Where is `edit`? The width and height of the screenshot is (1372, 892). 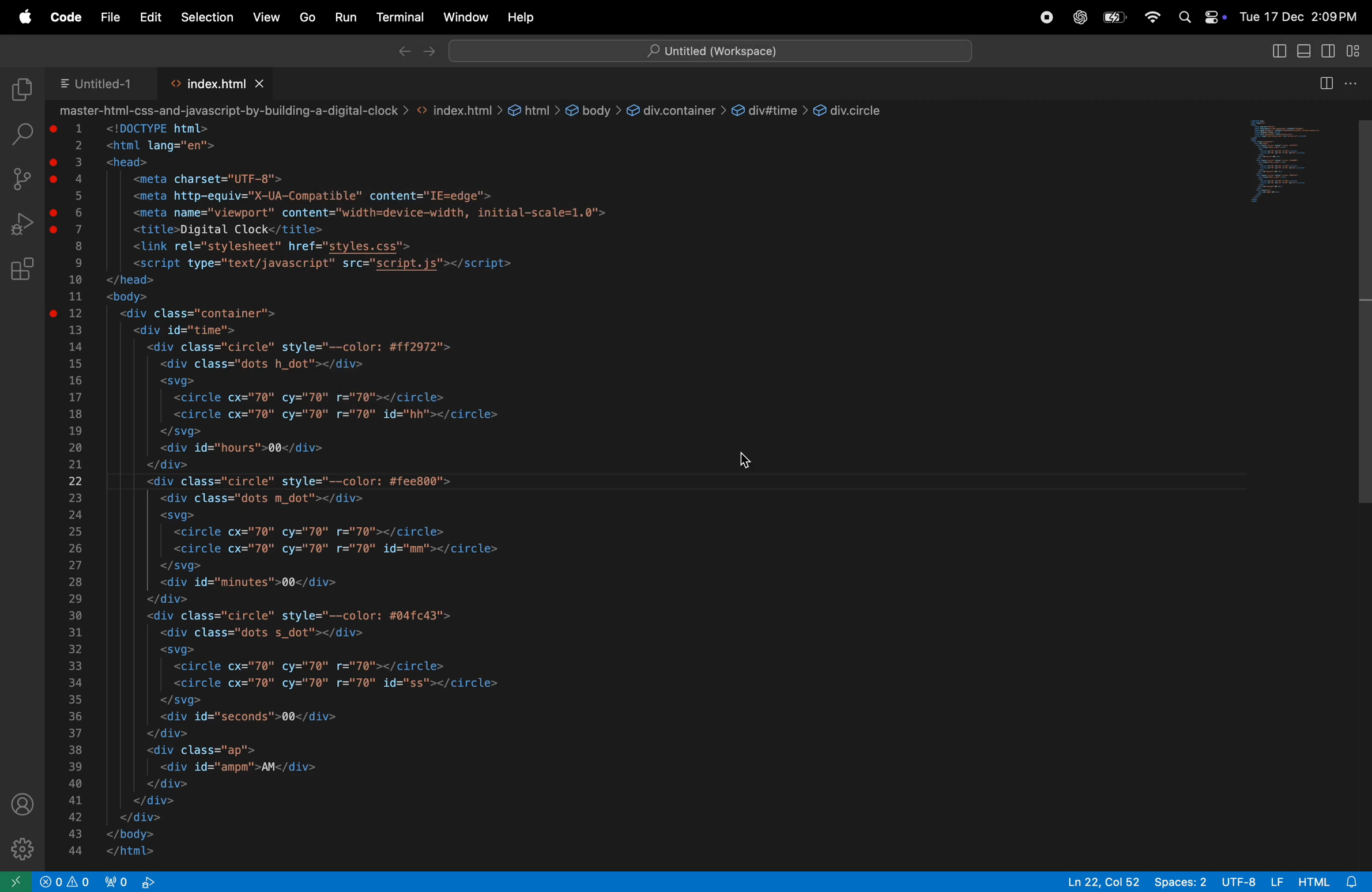
edit is located at coordinates (152, 18).